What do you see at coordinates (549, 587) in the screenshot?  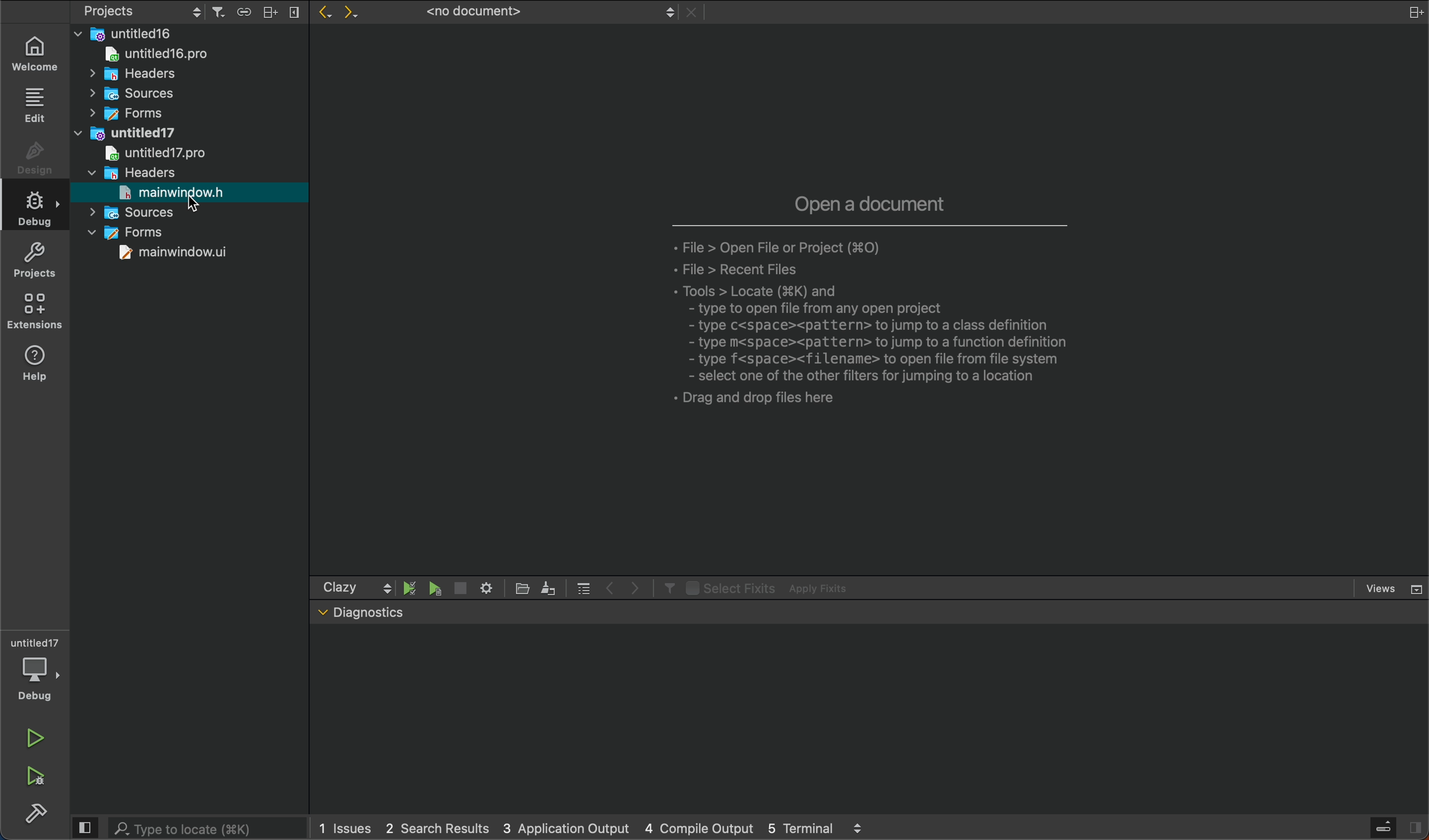 I see `edit` at bounding box center [549, 587].